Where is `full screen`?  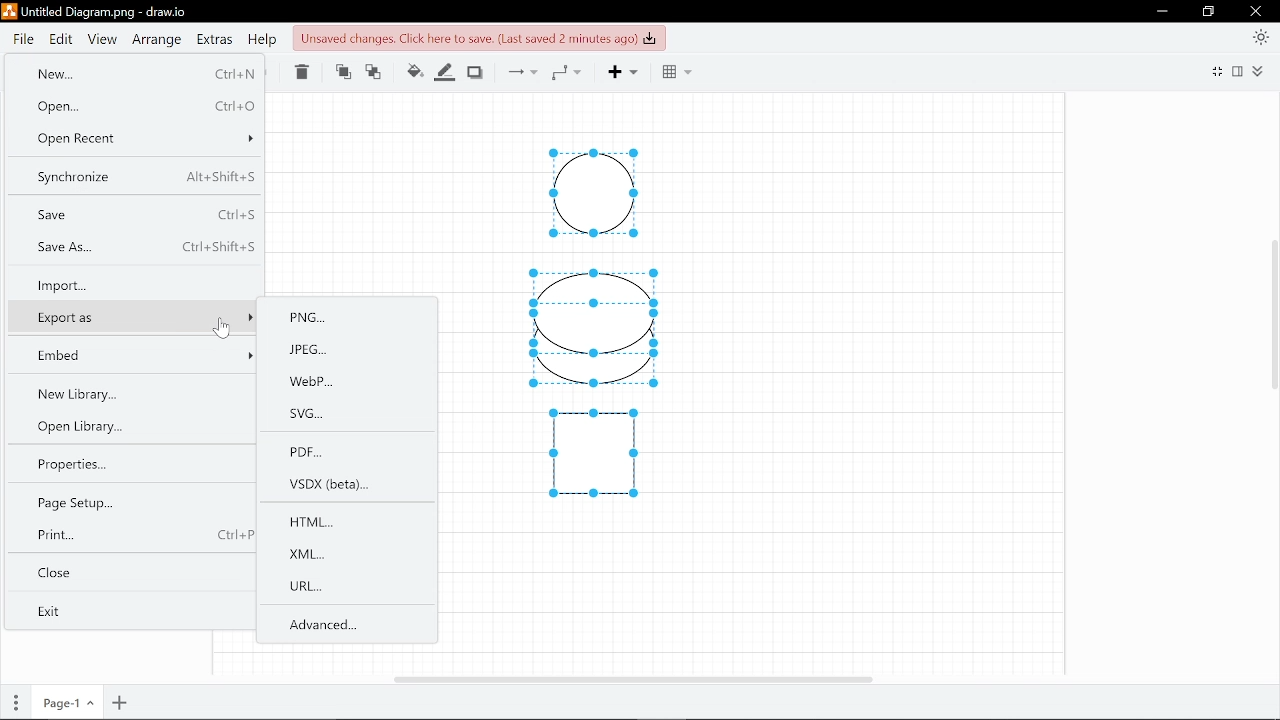 full screen is located at coordinates (1218, 70).